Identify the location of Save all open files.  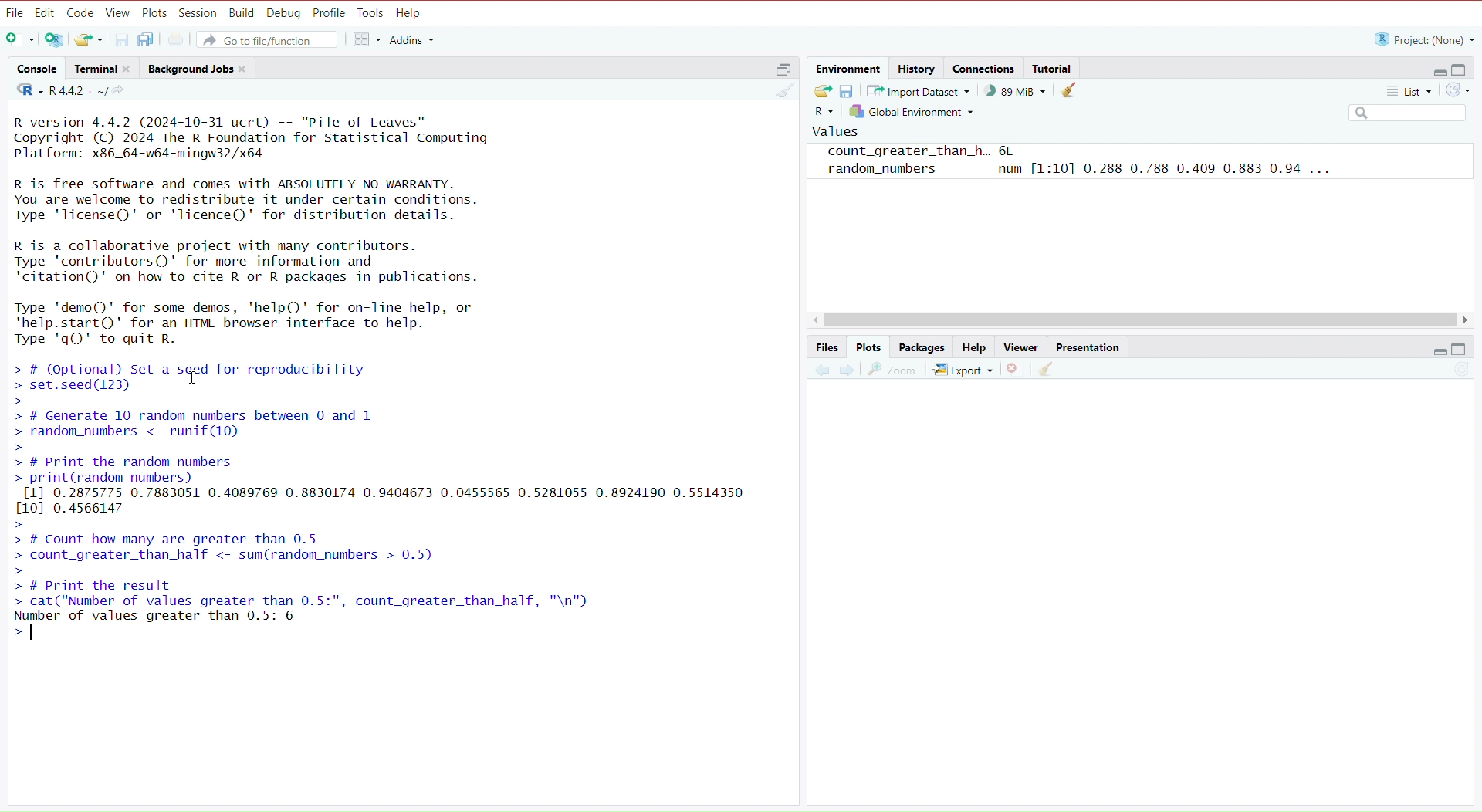
(145, 40).